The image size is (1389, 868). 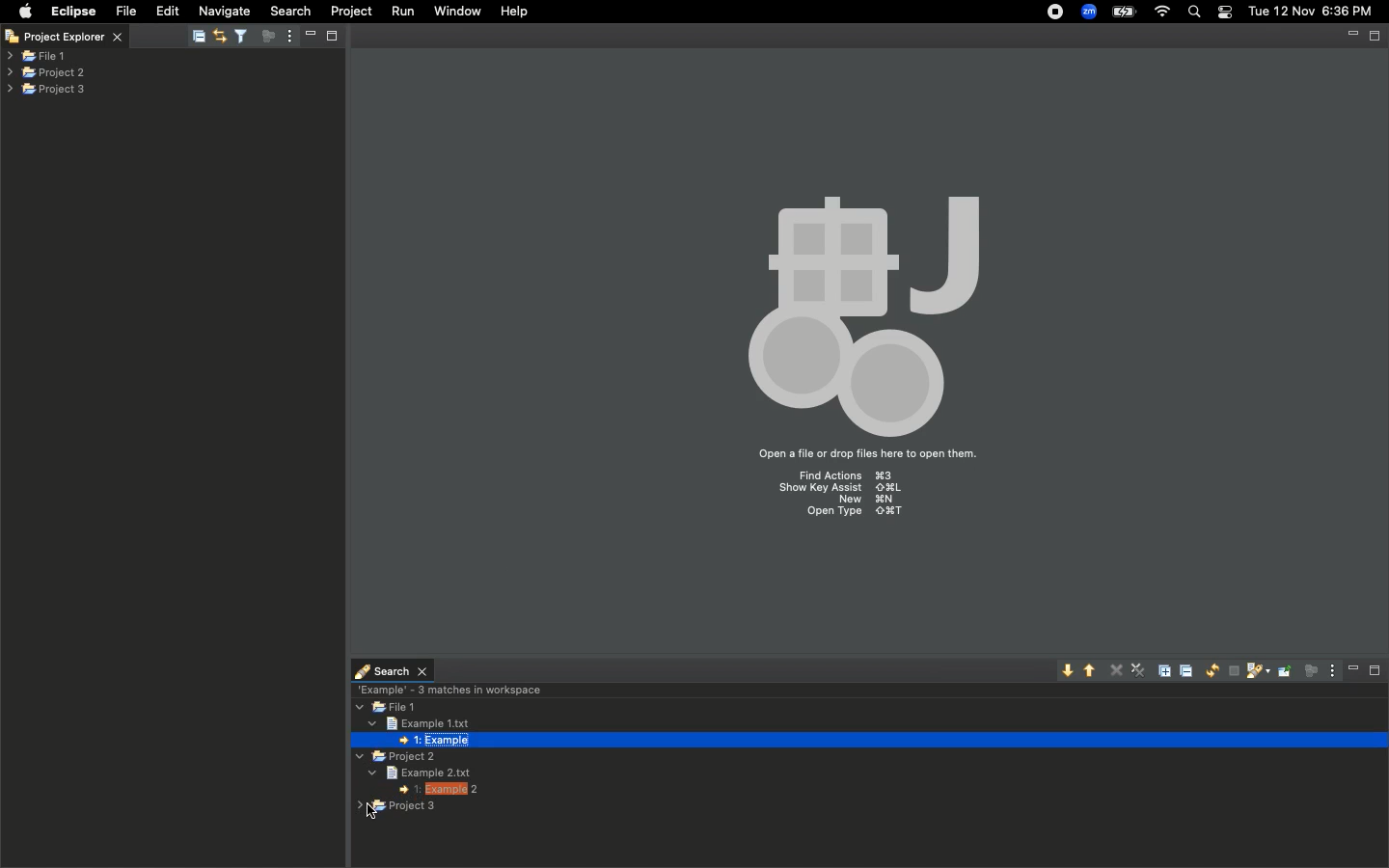 I want to click on Eclipse, so click(x=72, y=12).